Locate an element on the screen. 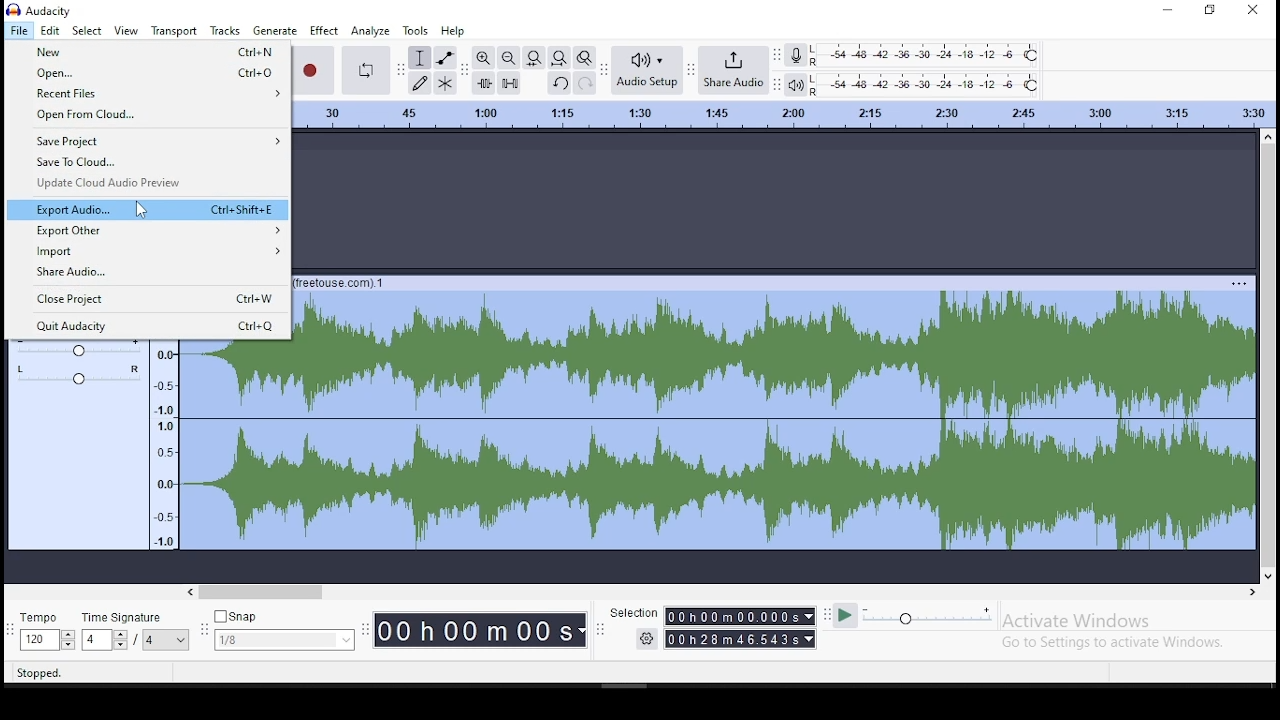  pan is located at coordinates (77, 376).